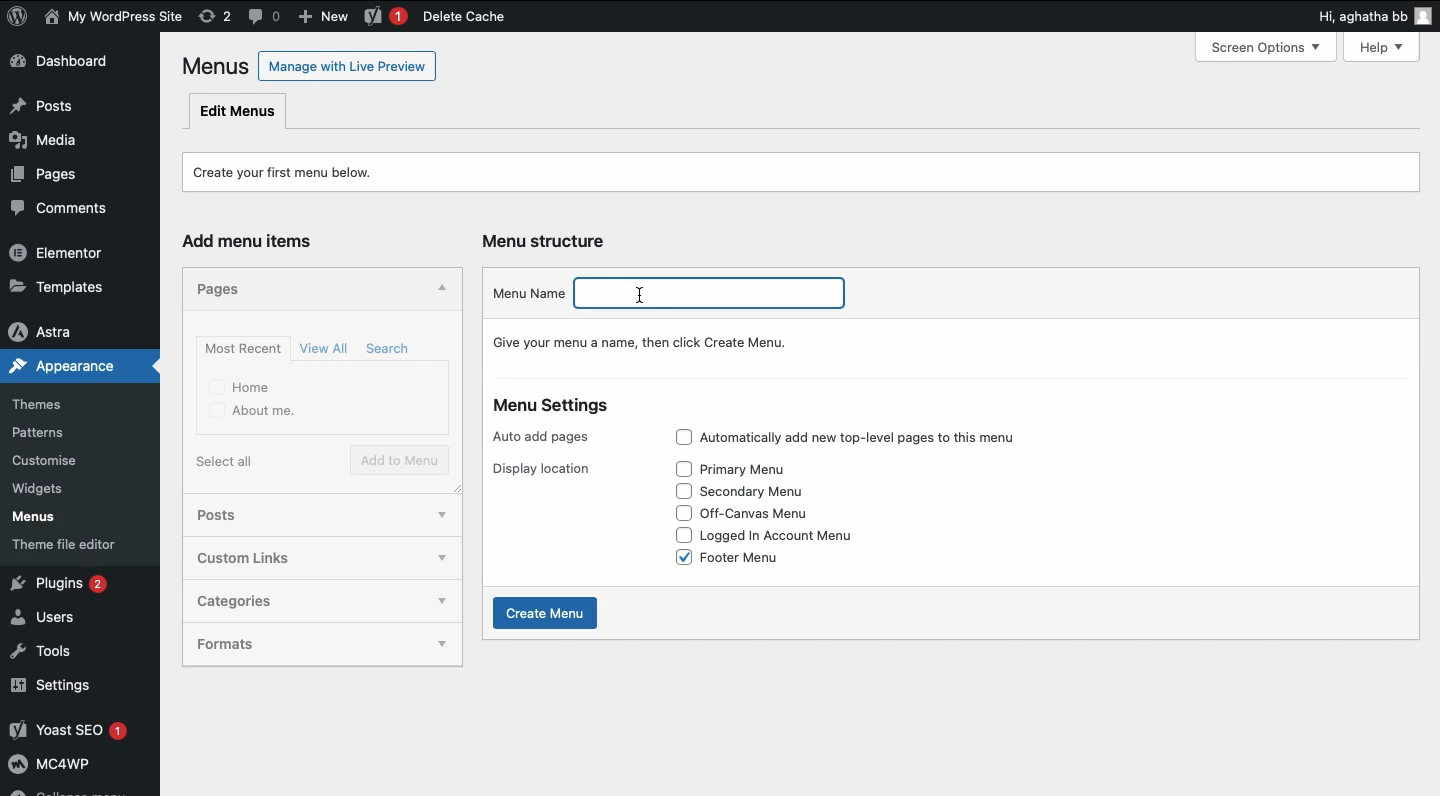  What do you see at coordinates (769, 512) in the screenshot?
I see `Off-canvas menu` at bounding box center [769, 512].